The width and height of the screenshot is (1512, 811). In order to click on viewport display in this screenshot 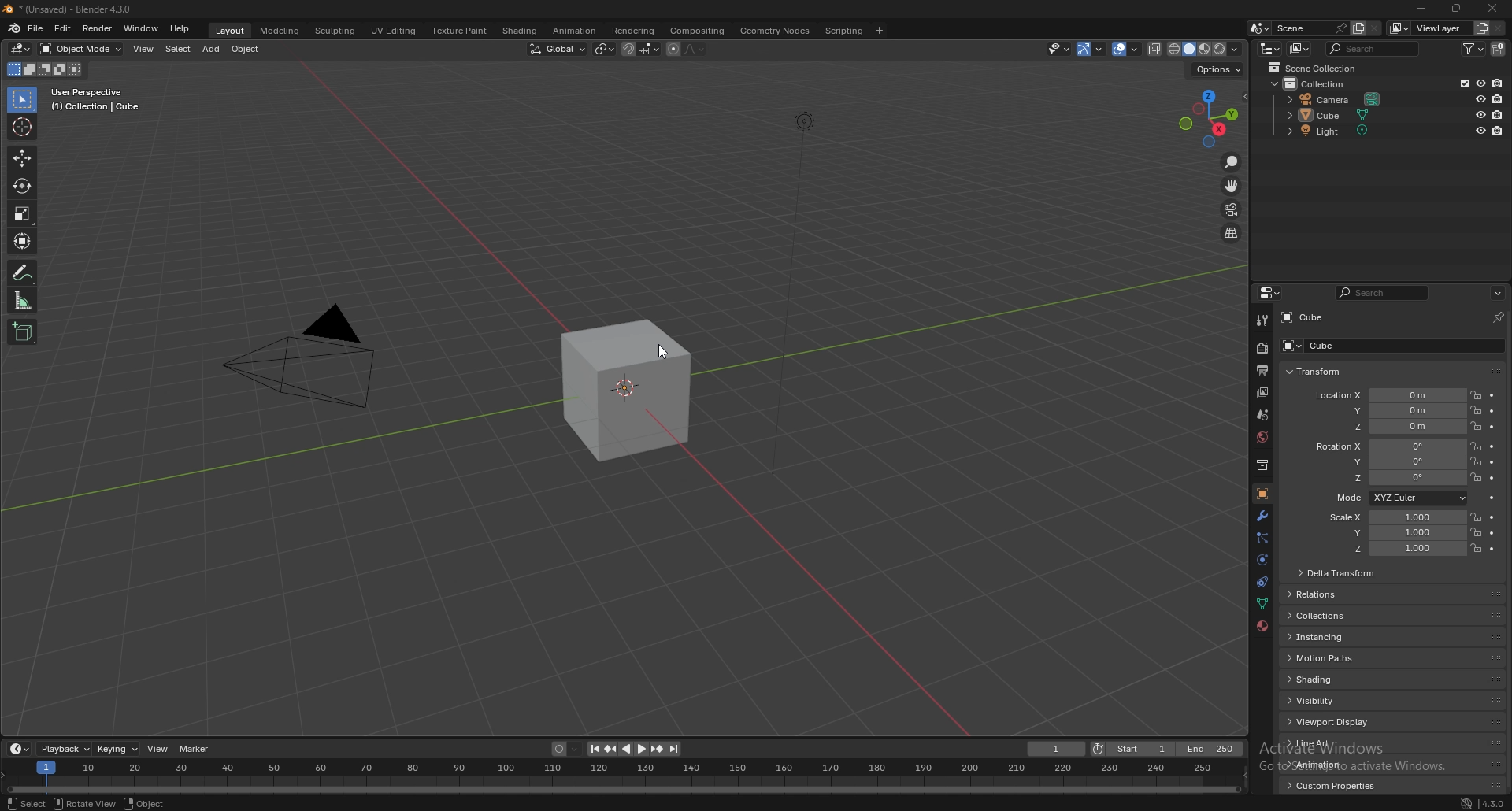, I will do `click(1336, 722)`.